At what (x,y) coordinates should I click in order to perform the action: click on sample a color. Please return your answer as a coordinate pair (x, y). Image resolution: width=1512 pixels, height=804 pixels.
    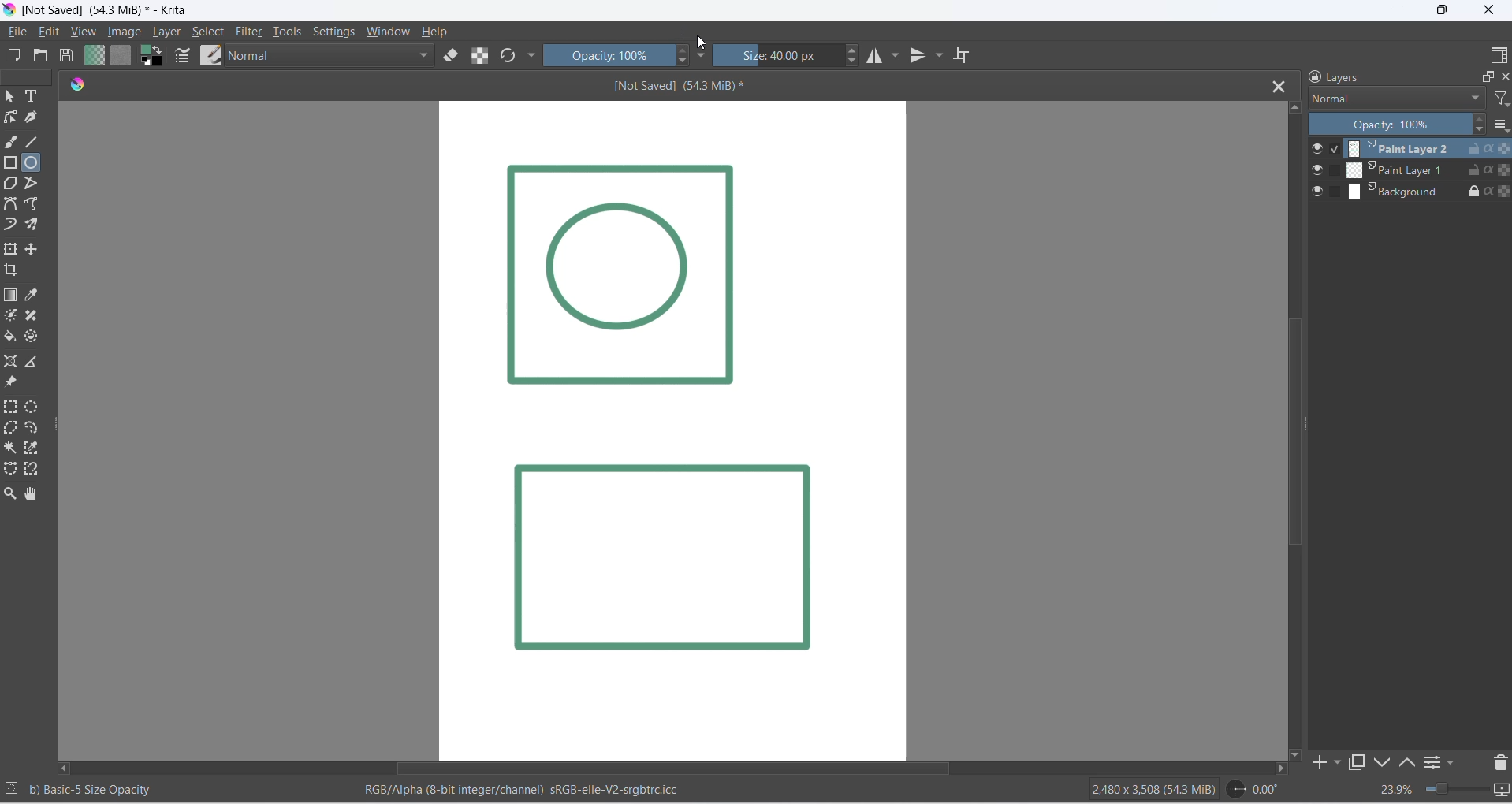
    Looking at the image, I should click on (39, 295).